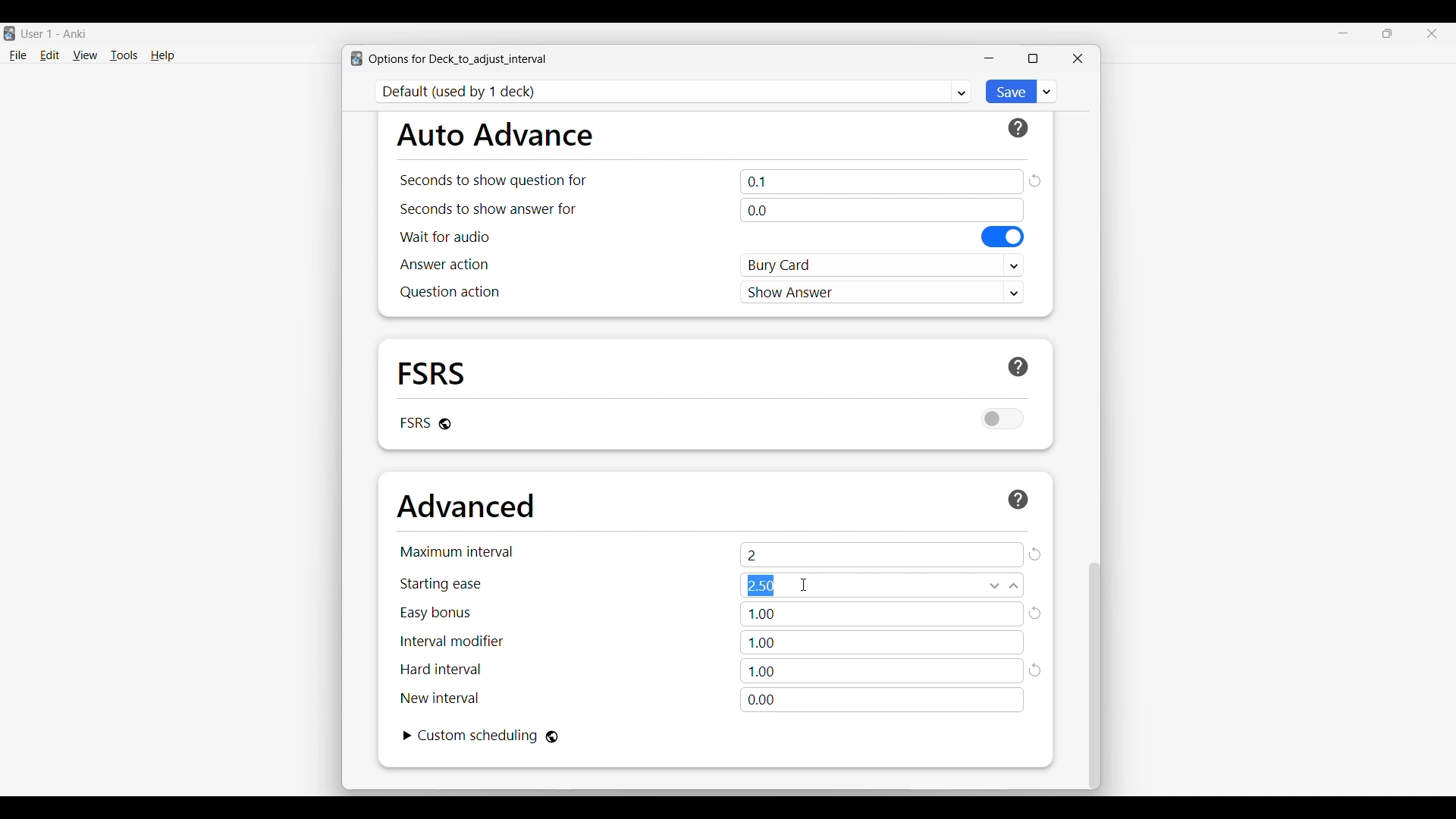 This screenshot has width=1456, height=819. I want to click on 0.00, so click(882, 700).